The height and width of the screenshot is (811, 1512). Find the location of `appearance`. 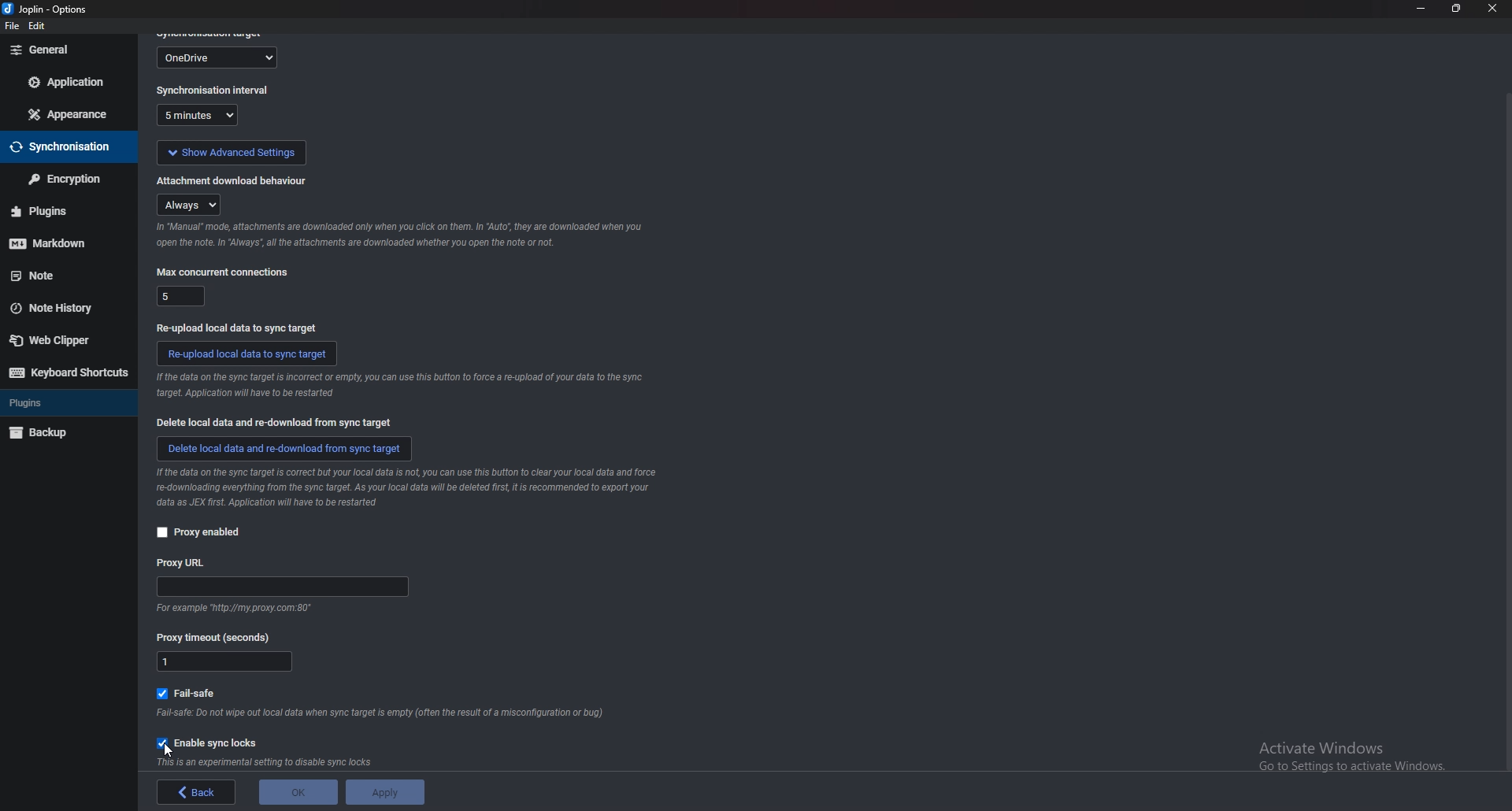

appearance is located at coordinates (70, 113).